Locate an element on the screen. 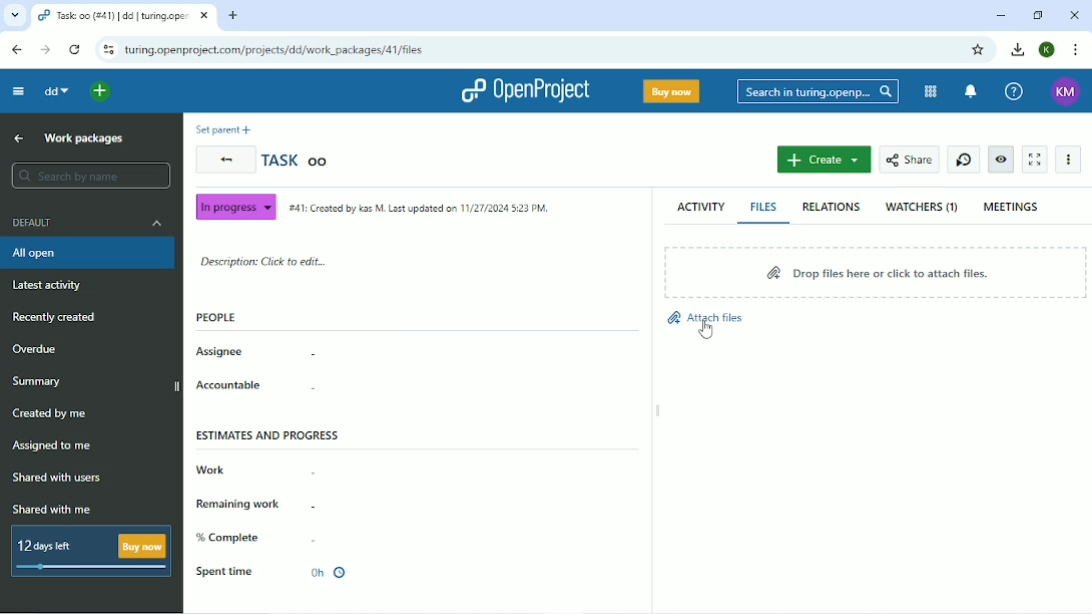 The width and height of the screenshot is (1092, 614). Assigned to me is located at coordinates (52, 445).